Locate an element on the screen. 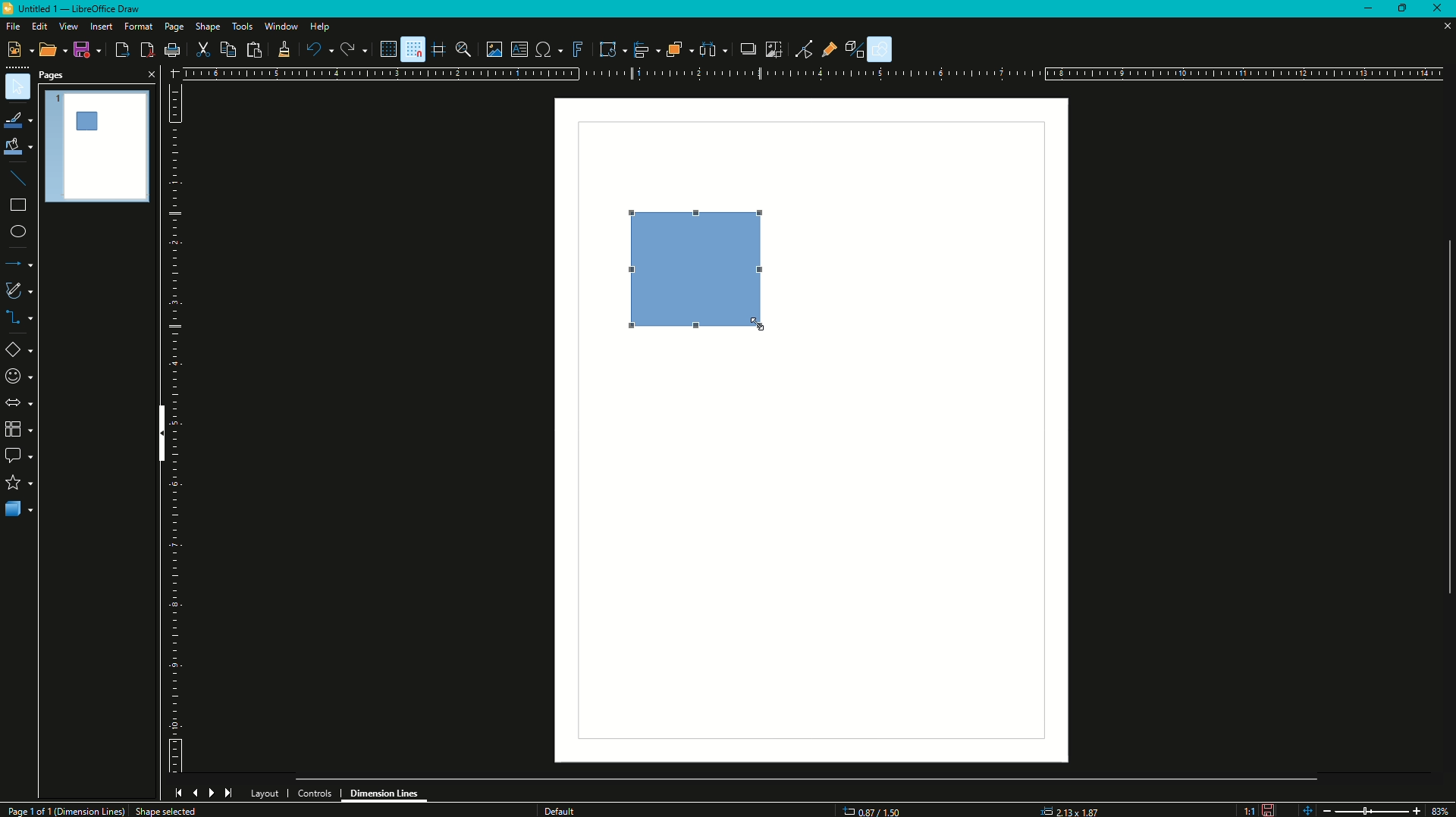  Display Grid is located at coordinates (383, 49).